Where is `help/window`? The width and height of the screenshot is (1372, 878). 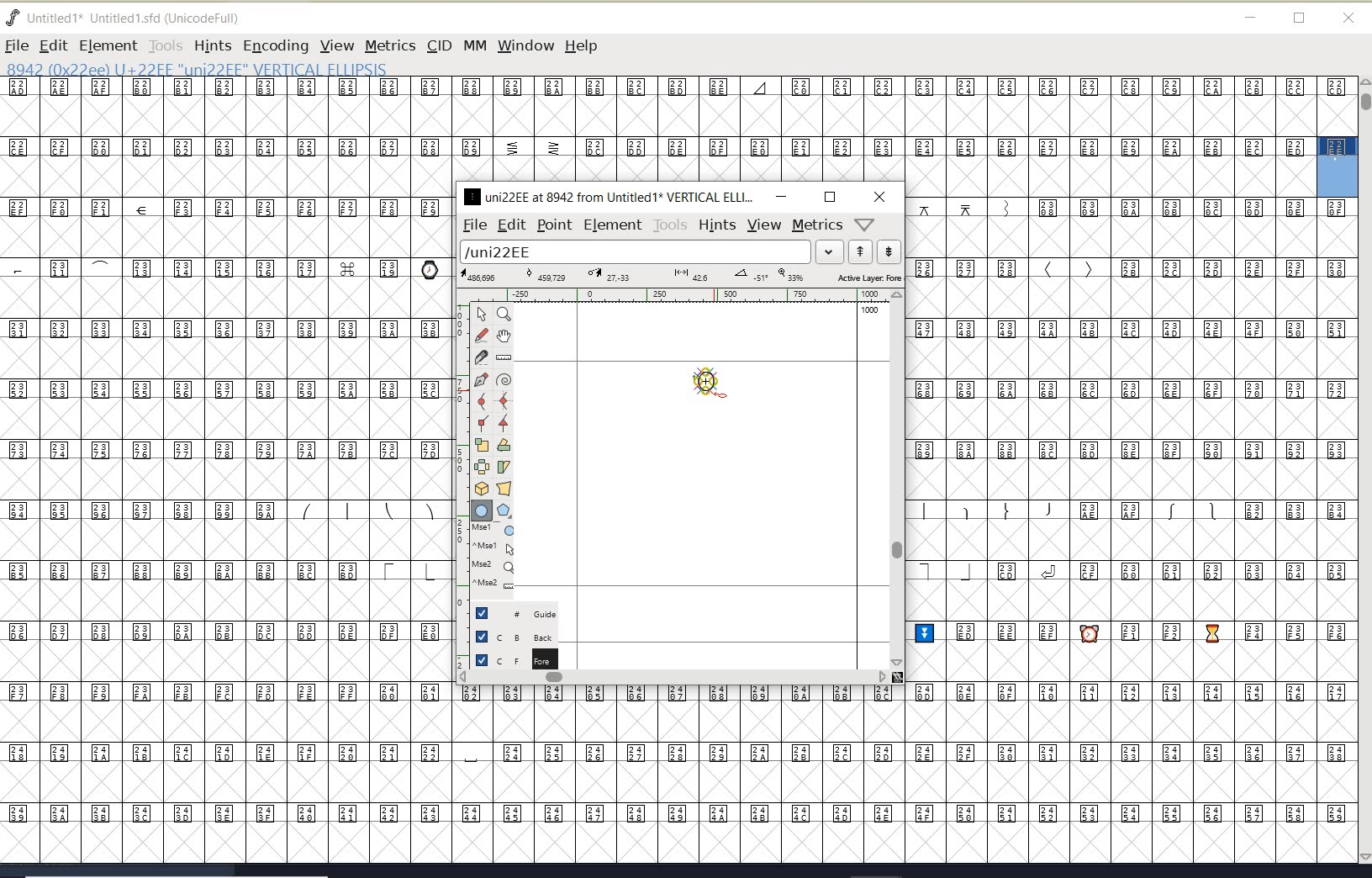
help/window is located at coordinates (865, 223).